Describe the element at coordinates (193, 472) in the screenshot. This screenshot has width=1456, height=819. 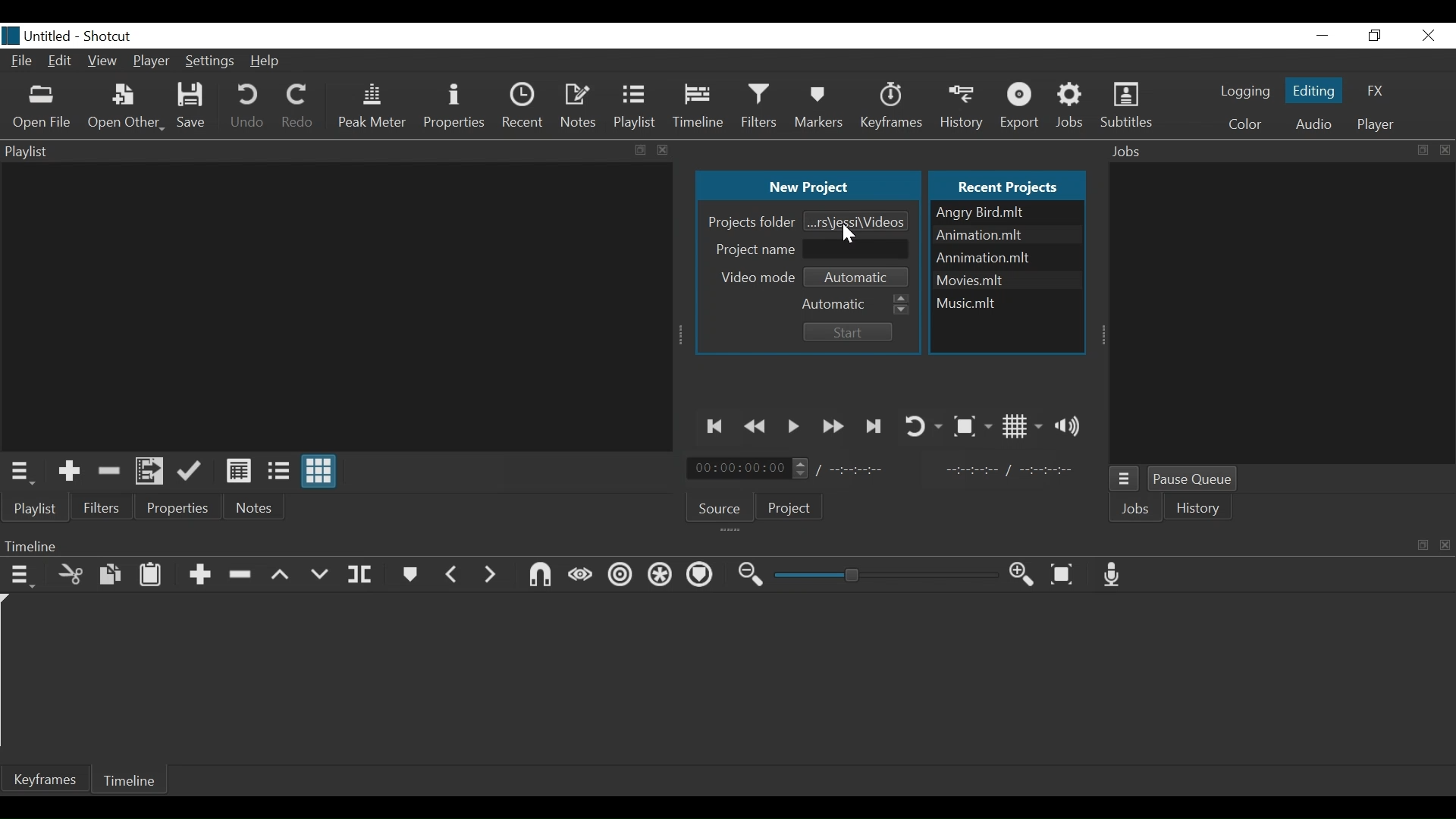
I see `Update` at that location.